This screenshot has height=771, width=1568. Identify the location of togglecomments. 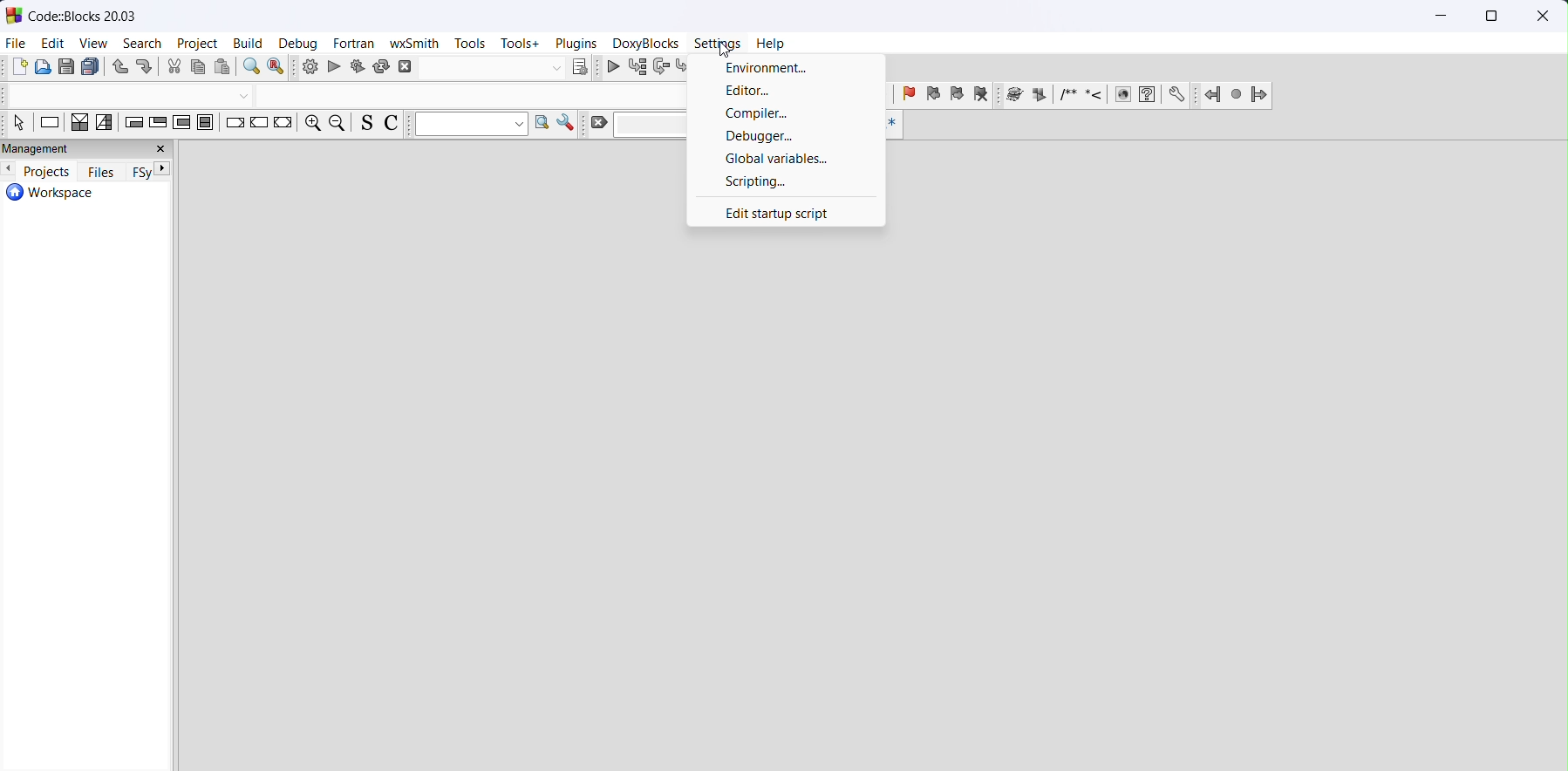
(391, 125).